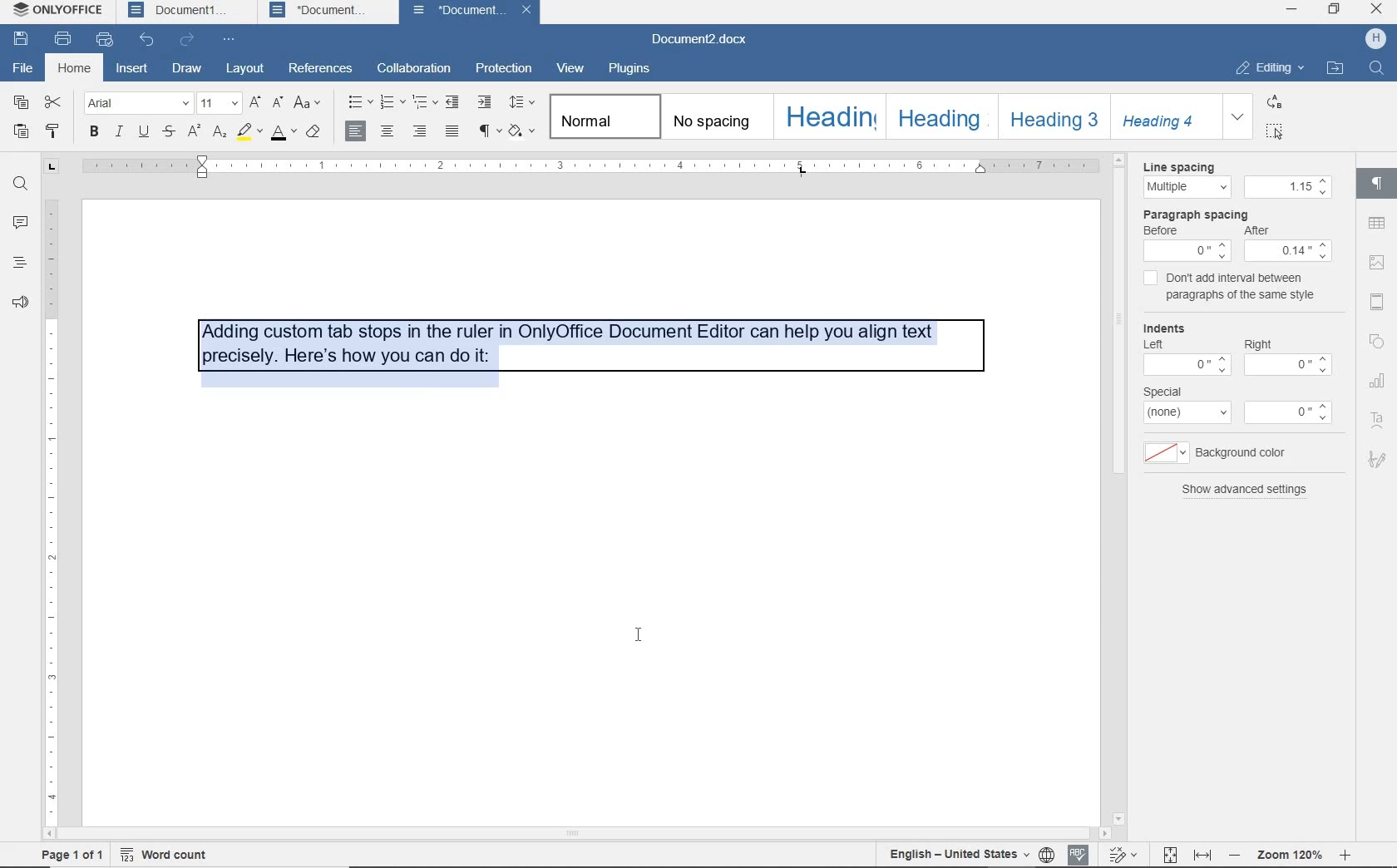  Describe the element at coordinates (55, 12) in the screenshot. I see `onlyoffice tab` at that location.